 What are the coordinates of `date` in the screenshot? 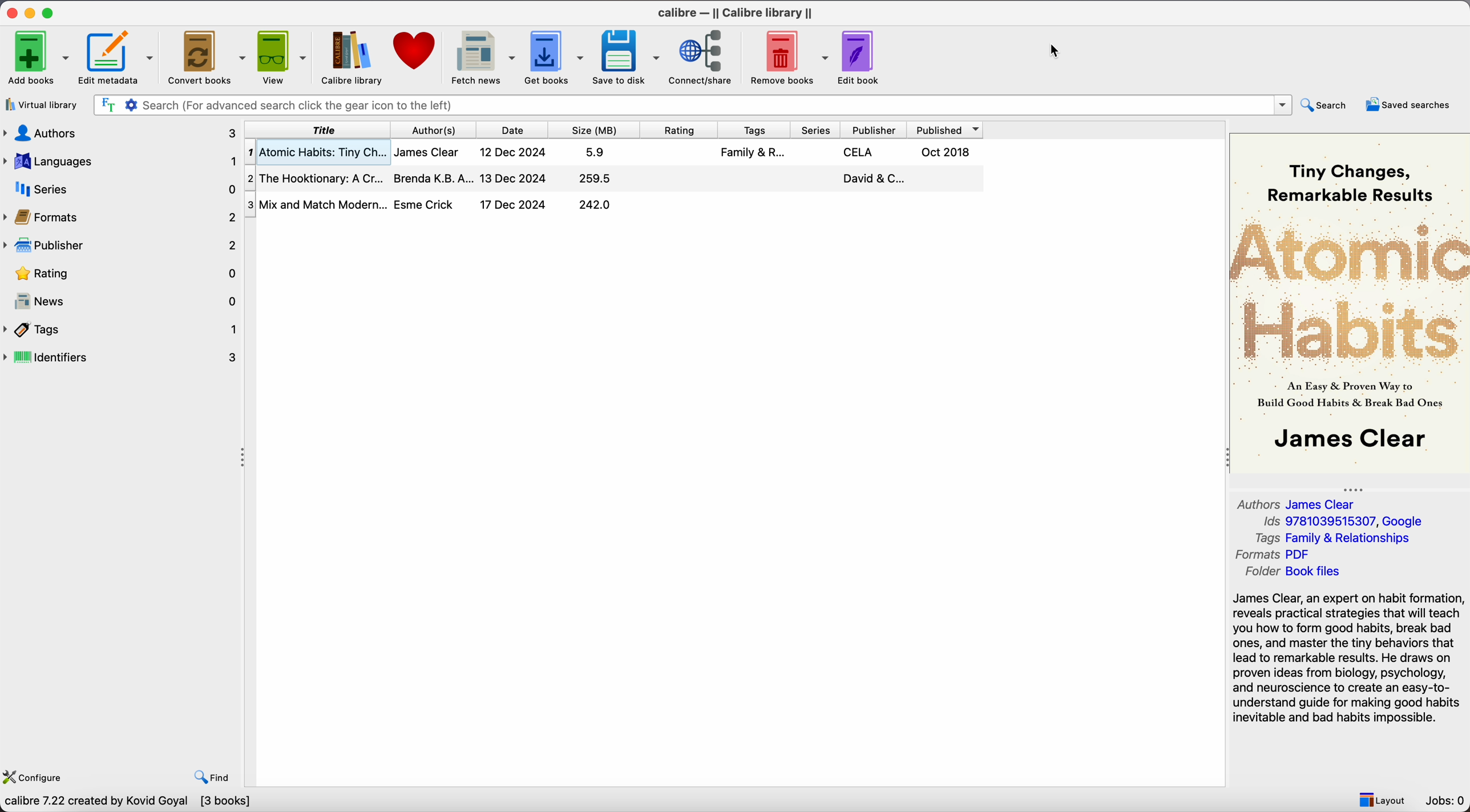 It's located at (518, 130).